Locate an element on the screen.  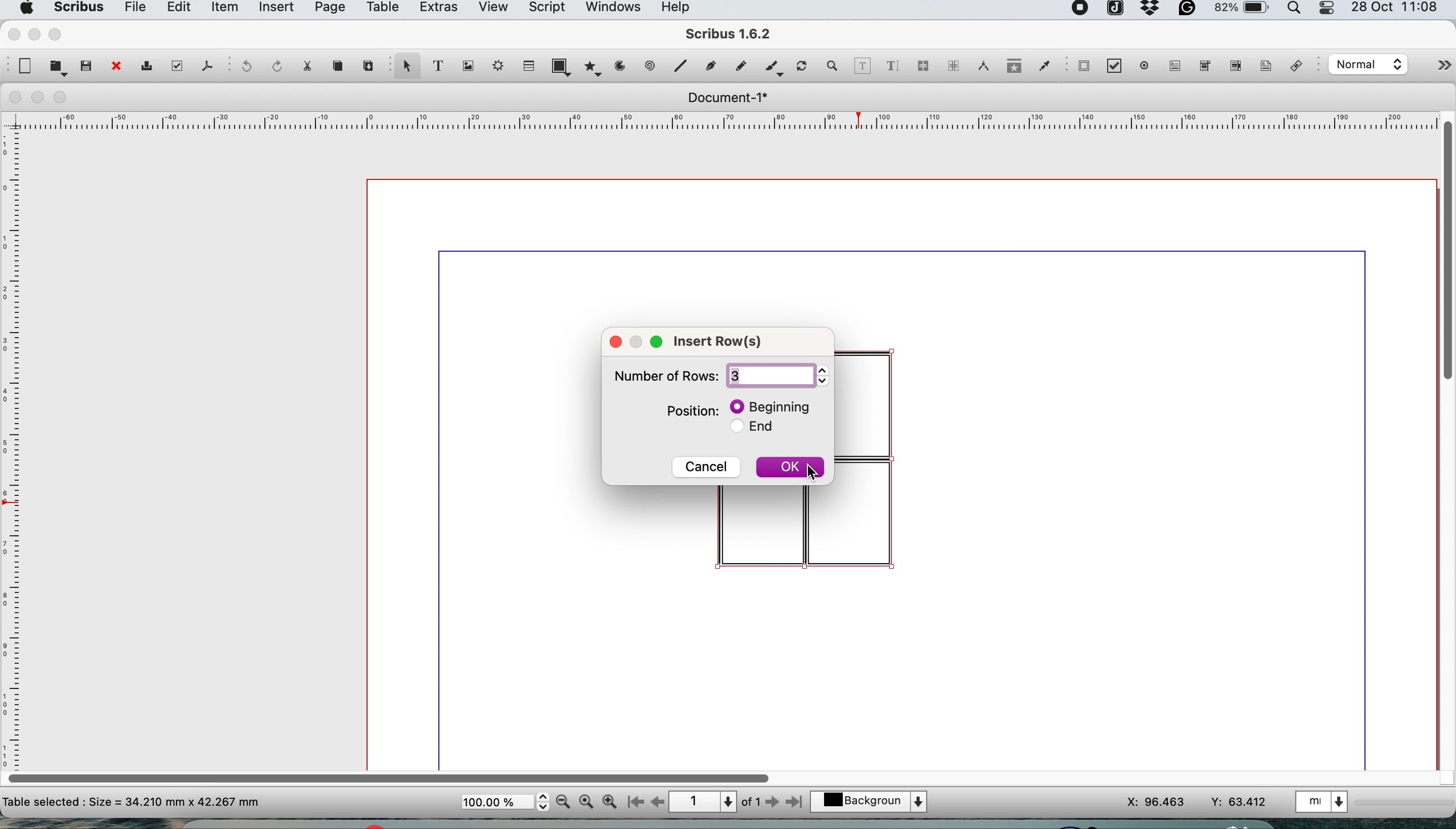
end is located at coordinates (760, 429).